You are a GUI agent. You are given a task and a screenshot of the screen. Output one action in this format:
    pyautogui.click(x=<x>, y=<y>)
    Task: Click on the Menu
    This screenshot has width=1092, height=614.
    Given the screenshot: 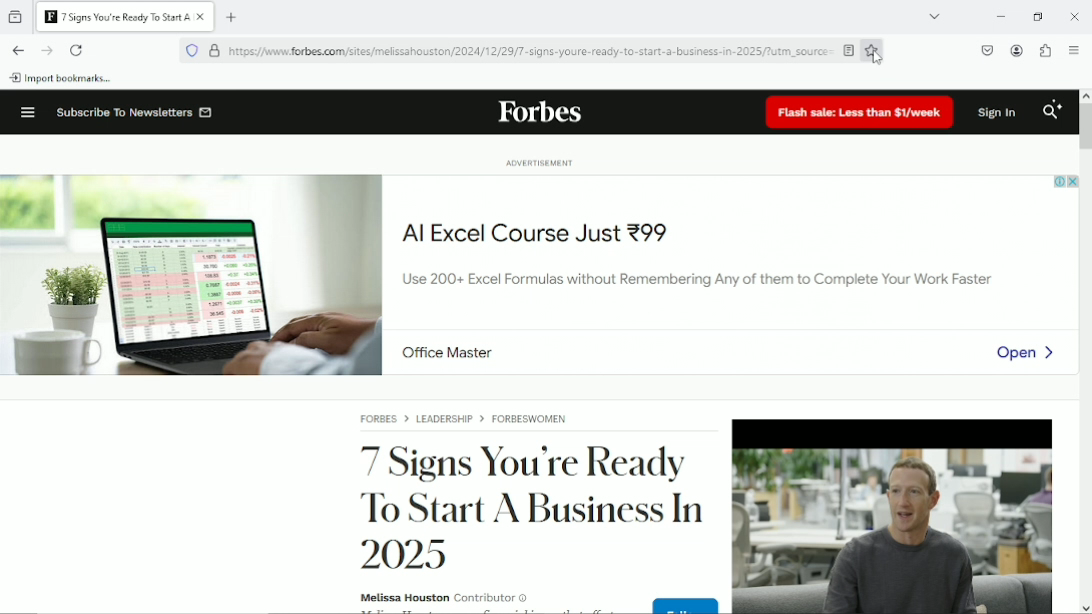 What is the action you would take?
    pyautogui.click(x=25, y=111)
    